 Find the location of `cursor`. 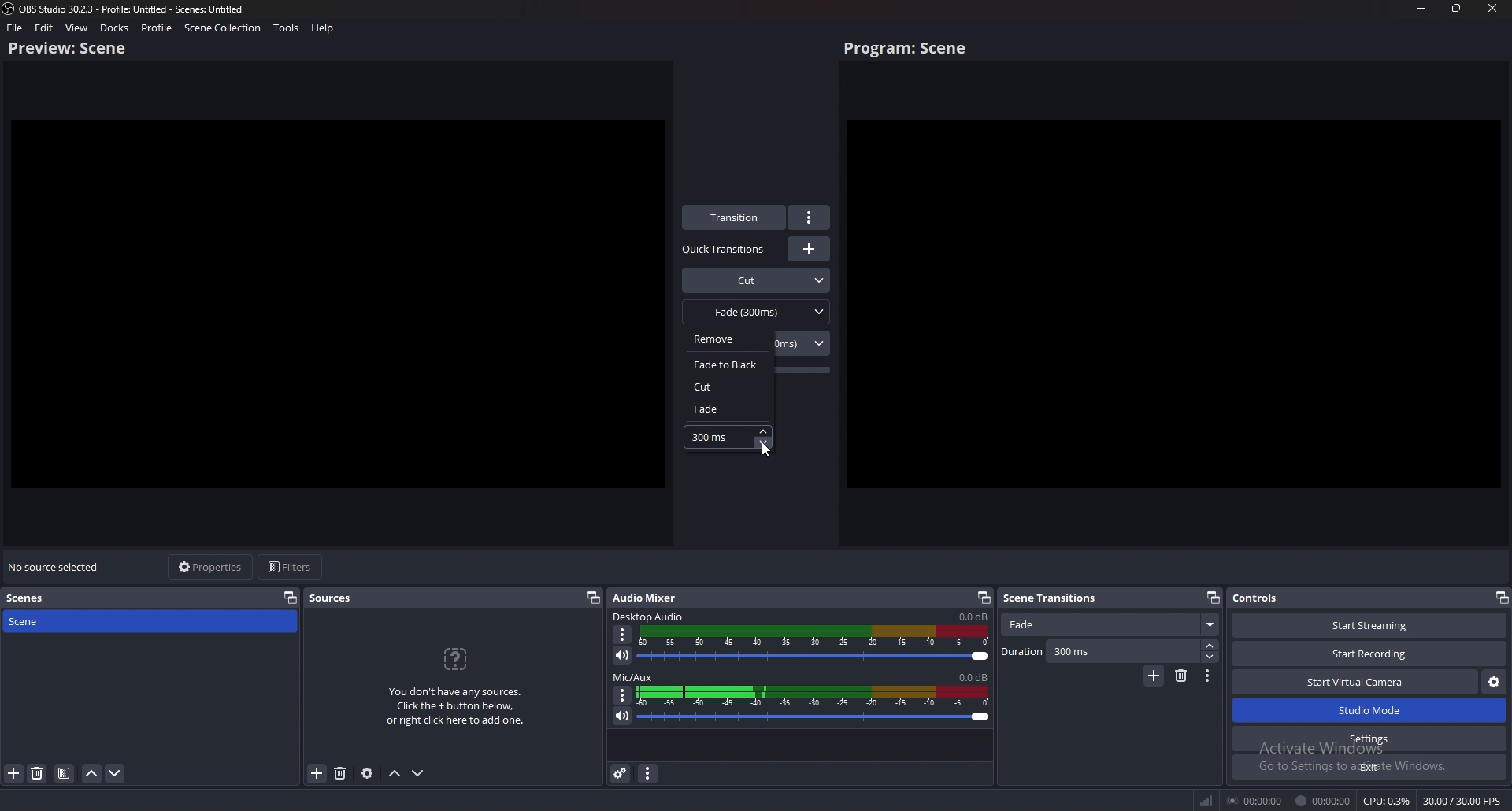

cursor is located at coordinates (769, 448).